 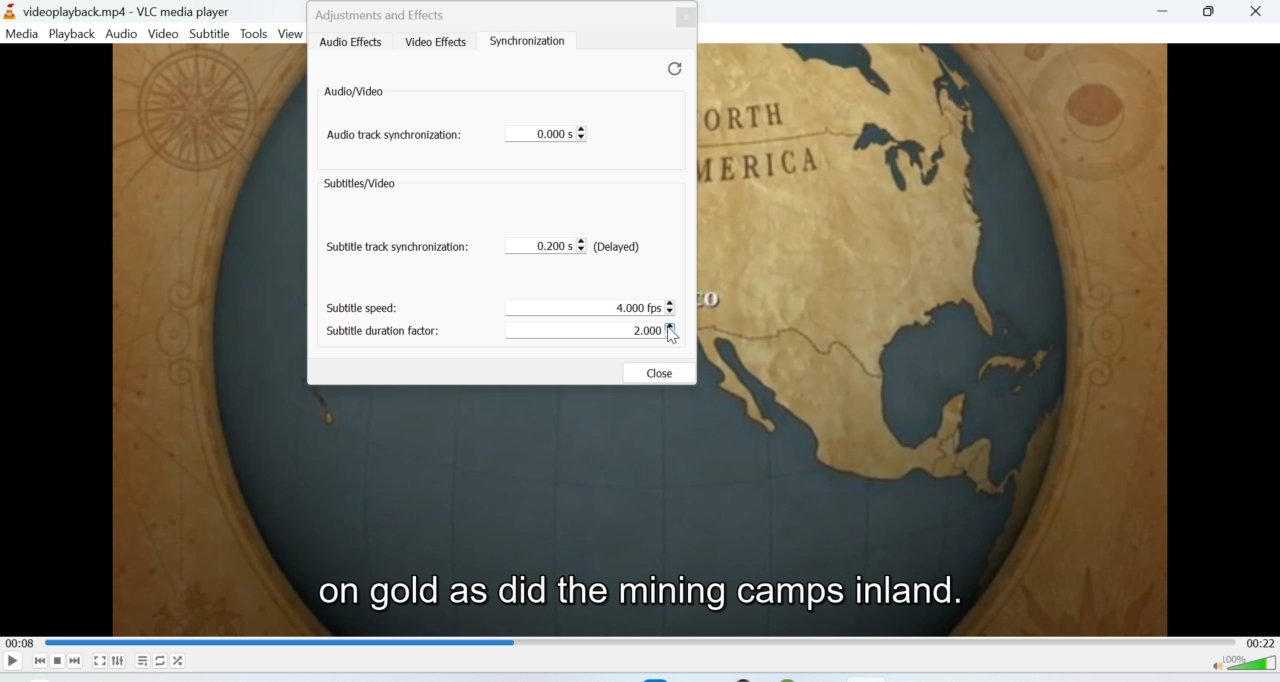 What do you see at coordinates (667, 68) in the screenshot?
I see `Refresh` at bounding box center [667, 68].